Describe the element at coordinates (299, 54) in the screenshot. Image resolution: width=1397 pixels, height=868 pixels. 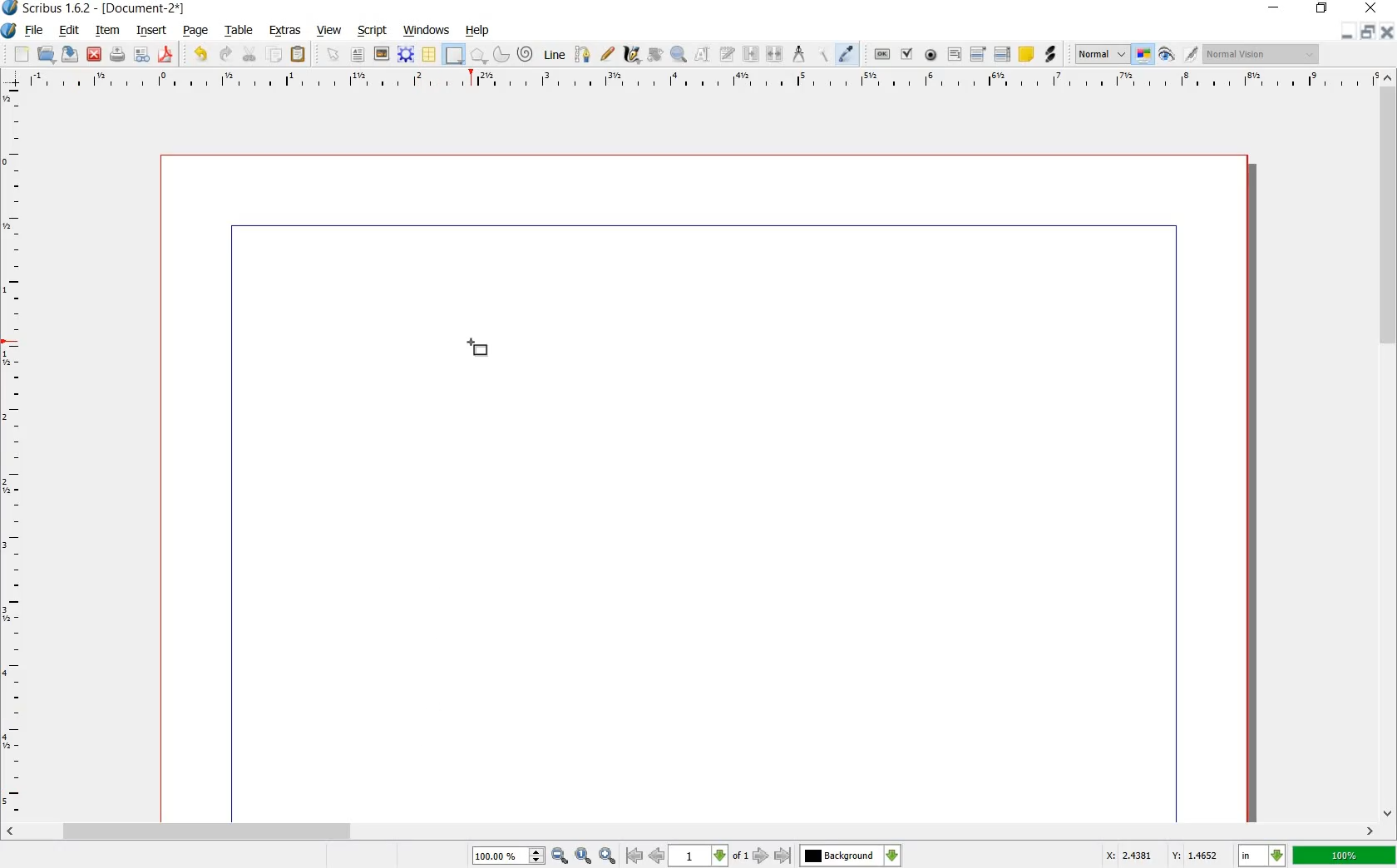
I see `PASTE` at that location.